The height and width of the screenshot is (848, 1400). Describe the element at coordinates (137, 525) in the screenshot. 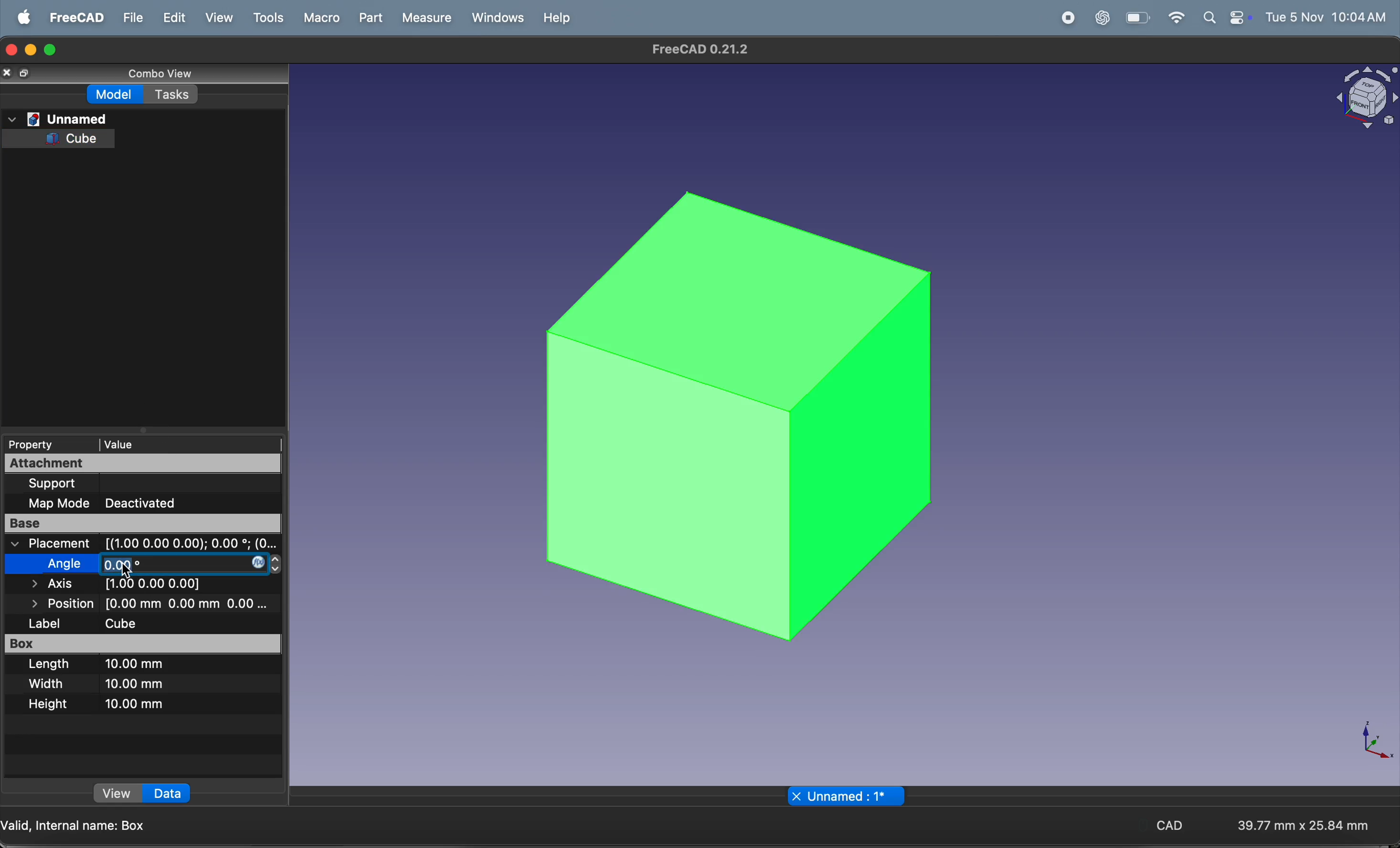

I see `base` at that location.